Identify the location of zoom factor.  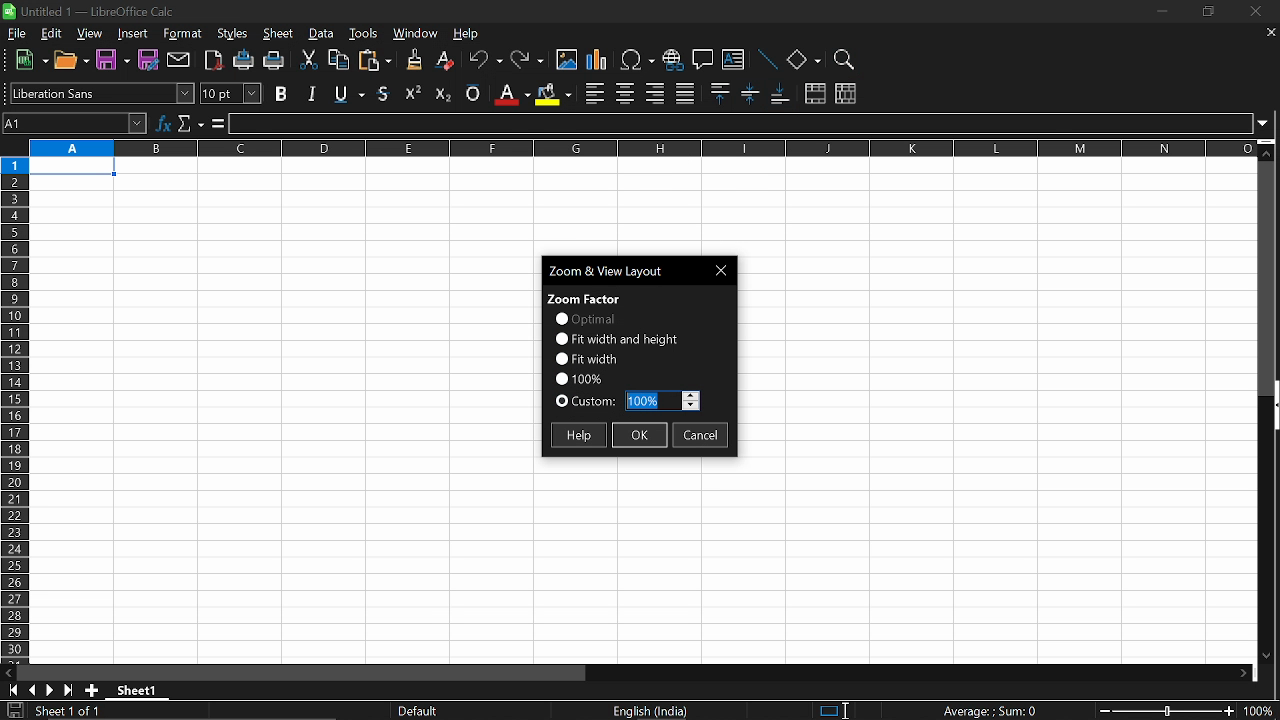
(585, 297).